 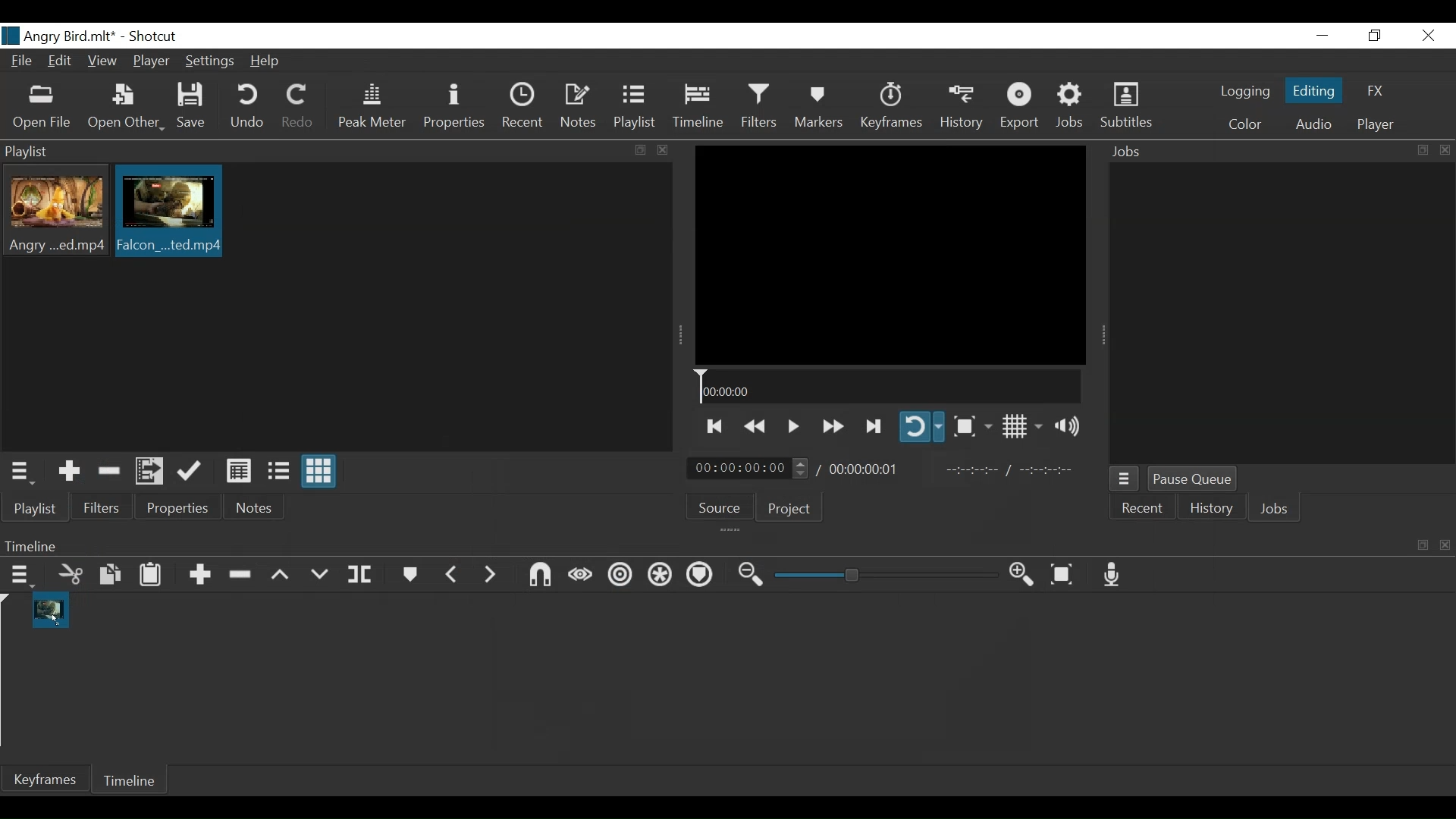 What do you see at coordinates (540, 576) in the screenshot?
I see `Snap ` at bounding box center [540, 576].